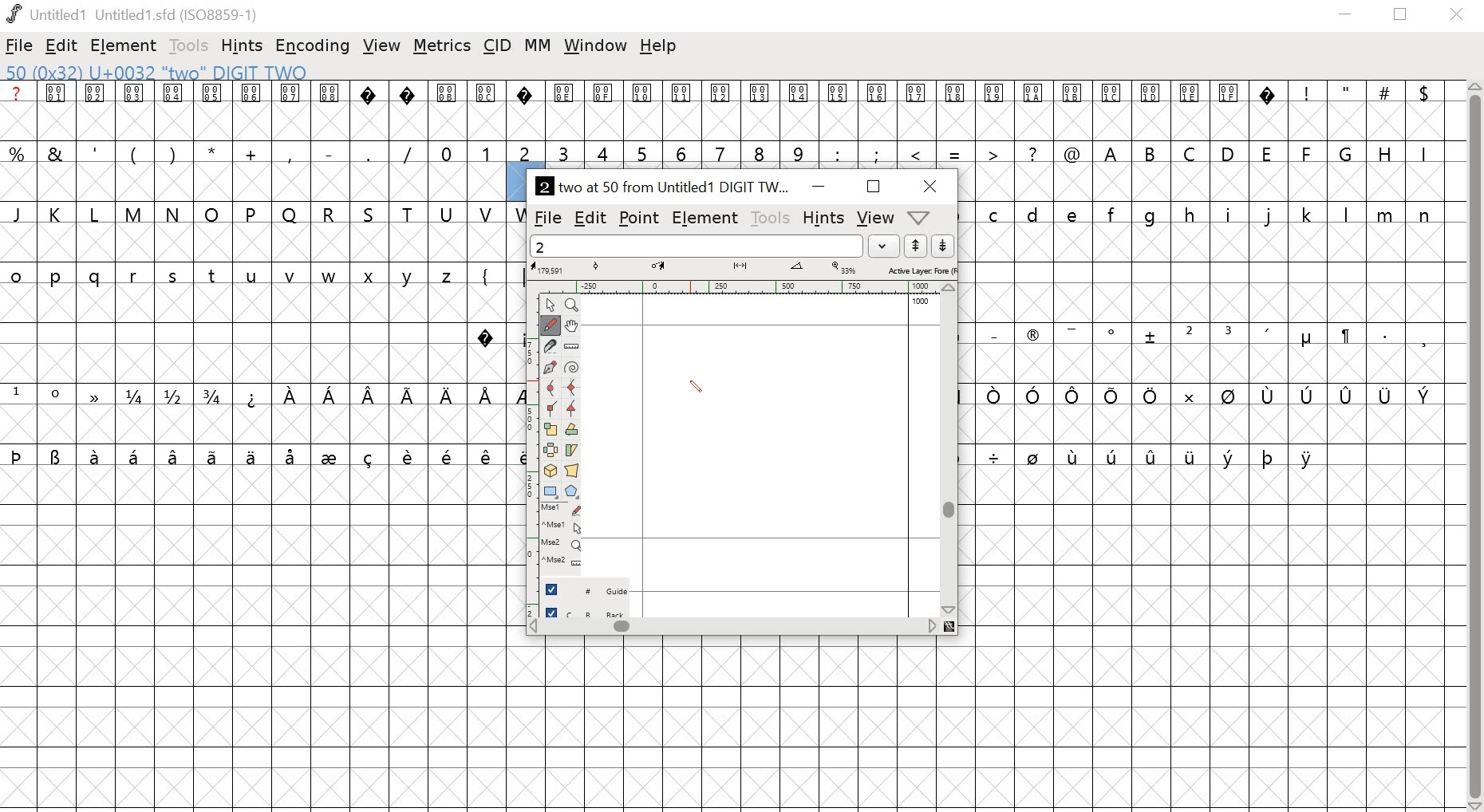 Image resolution: width=1484 pixels, height=812 pixels. I want to click on rotate, so click(571, 429).